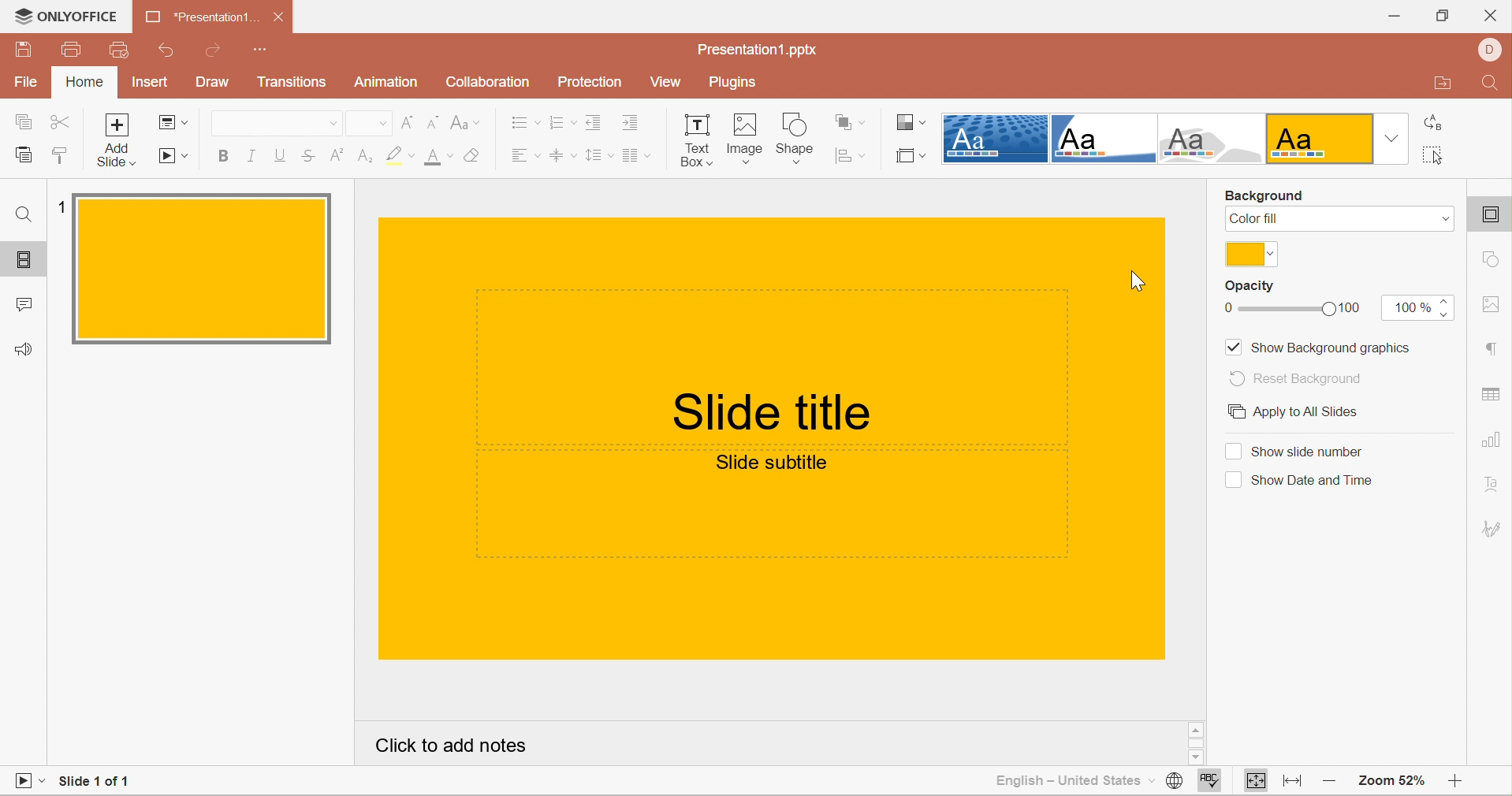 The image size is (1512, 796). What do you see at coordinates (307, 158) in the screenshot?
I see `Strikethrough` at bounding box center [307, 158].